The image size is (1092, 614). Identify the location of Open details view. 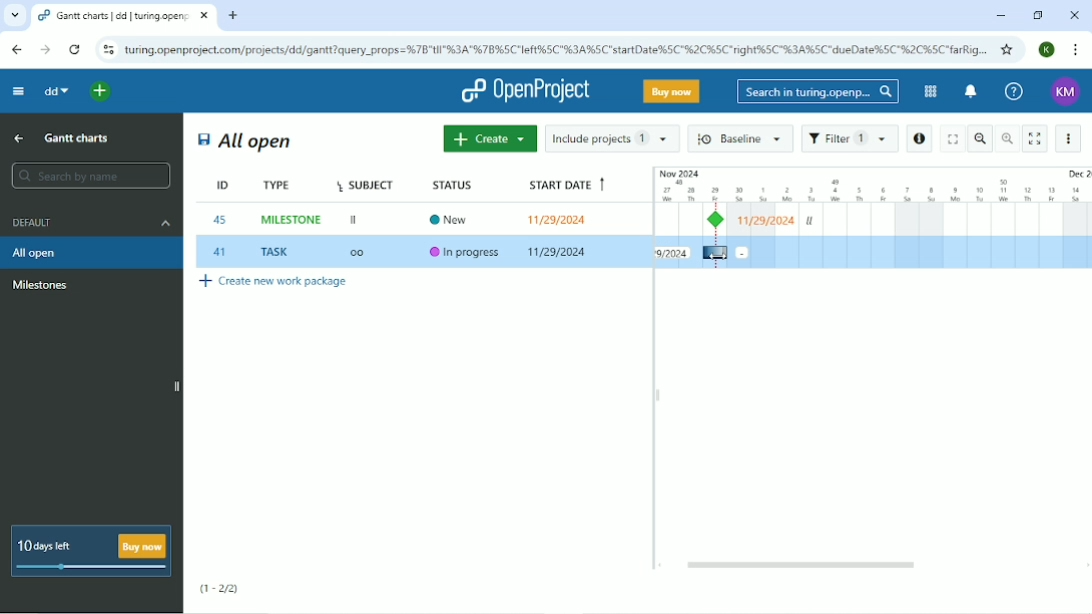
(919, 139).